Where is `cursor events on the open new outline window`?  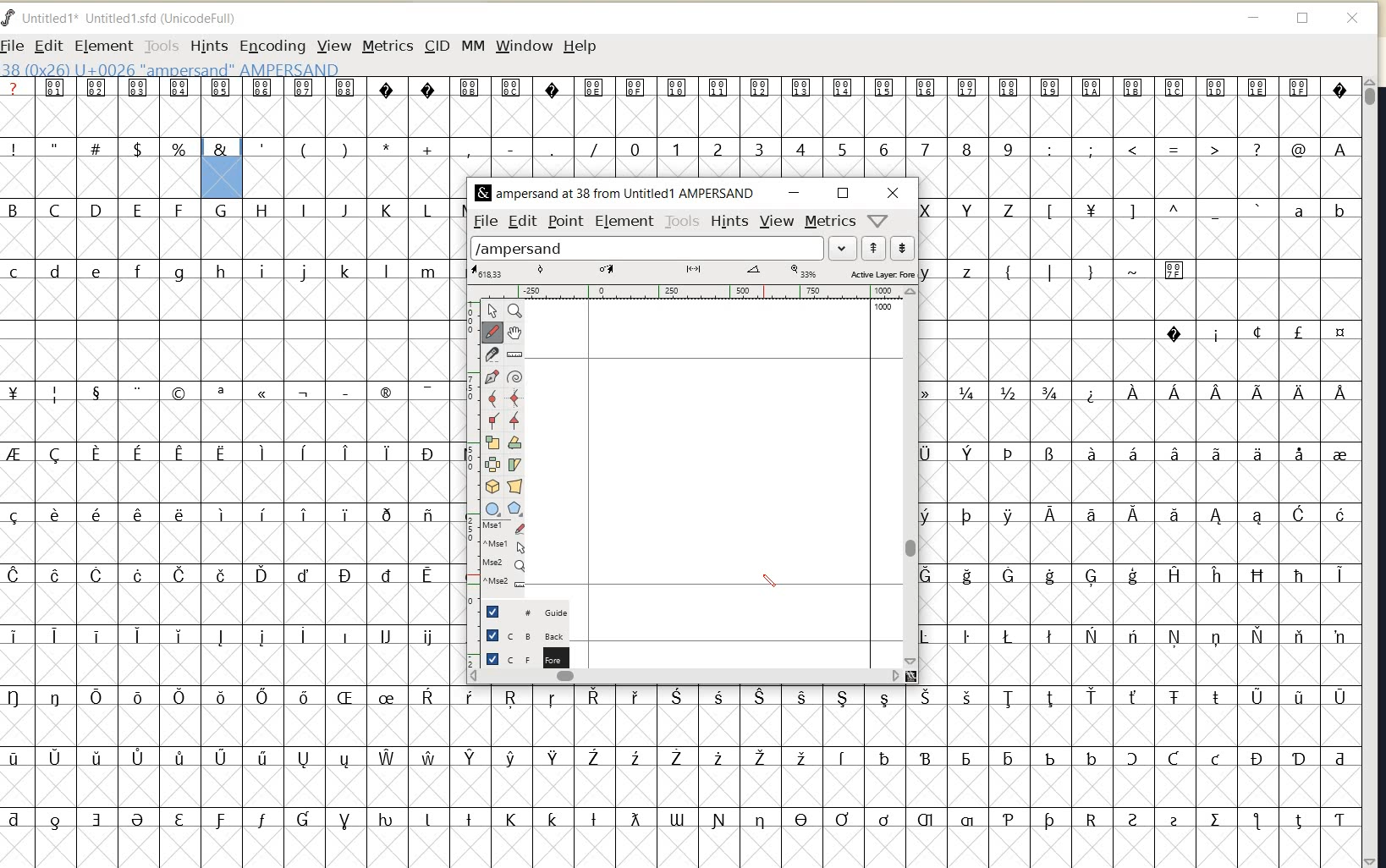
cursor events on the open new outline window is located at coordinates (506, 557).